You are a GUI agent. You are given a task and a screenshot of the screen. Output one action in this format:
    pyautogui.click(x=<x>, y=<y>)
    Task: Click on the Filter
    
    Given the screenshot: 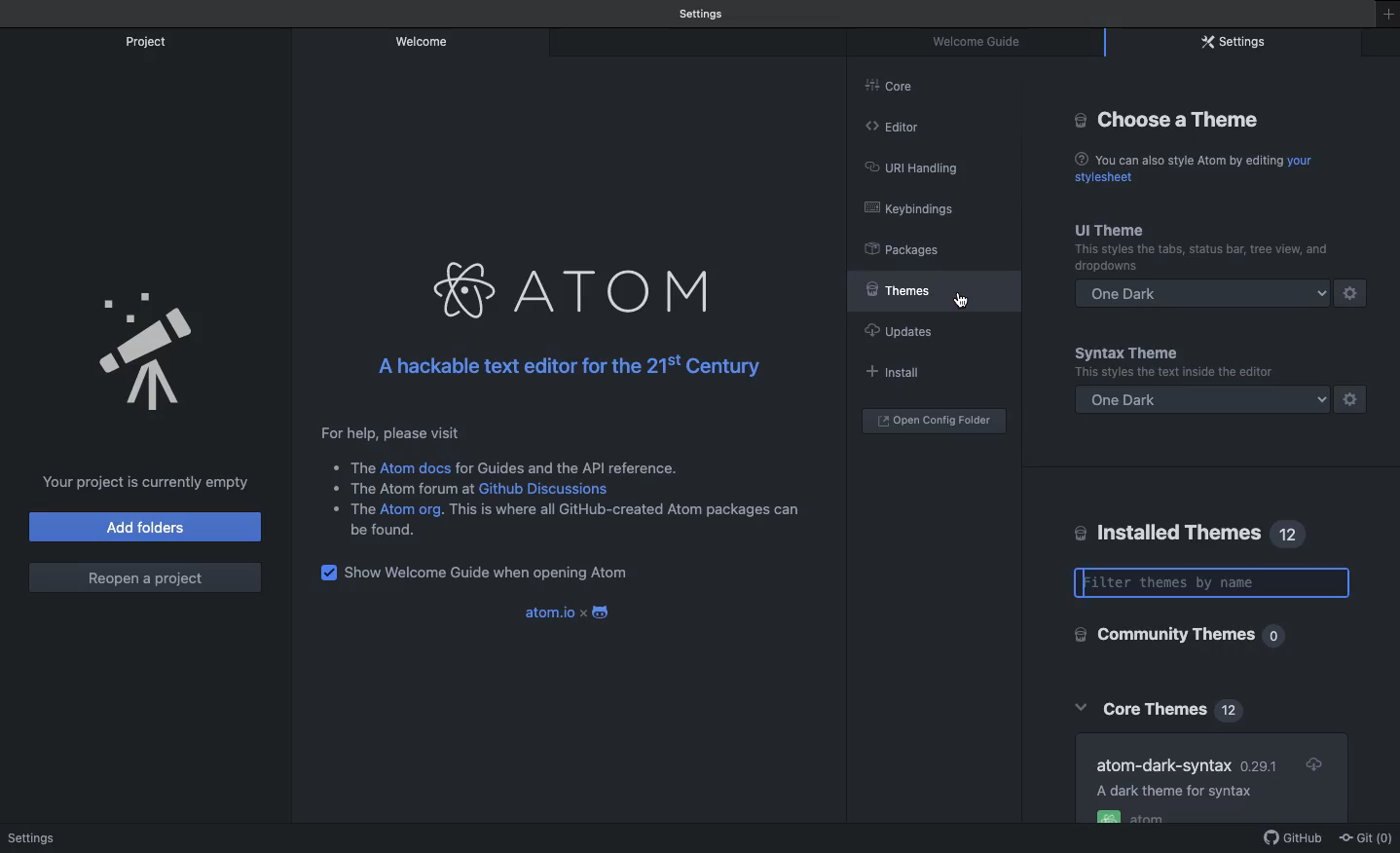 What is the action you would take?
    pyautogui.click(x=1212, y=584)
    